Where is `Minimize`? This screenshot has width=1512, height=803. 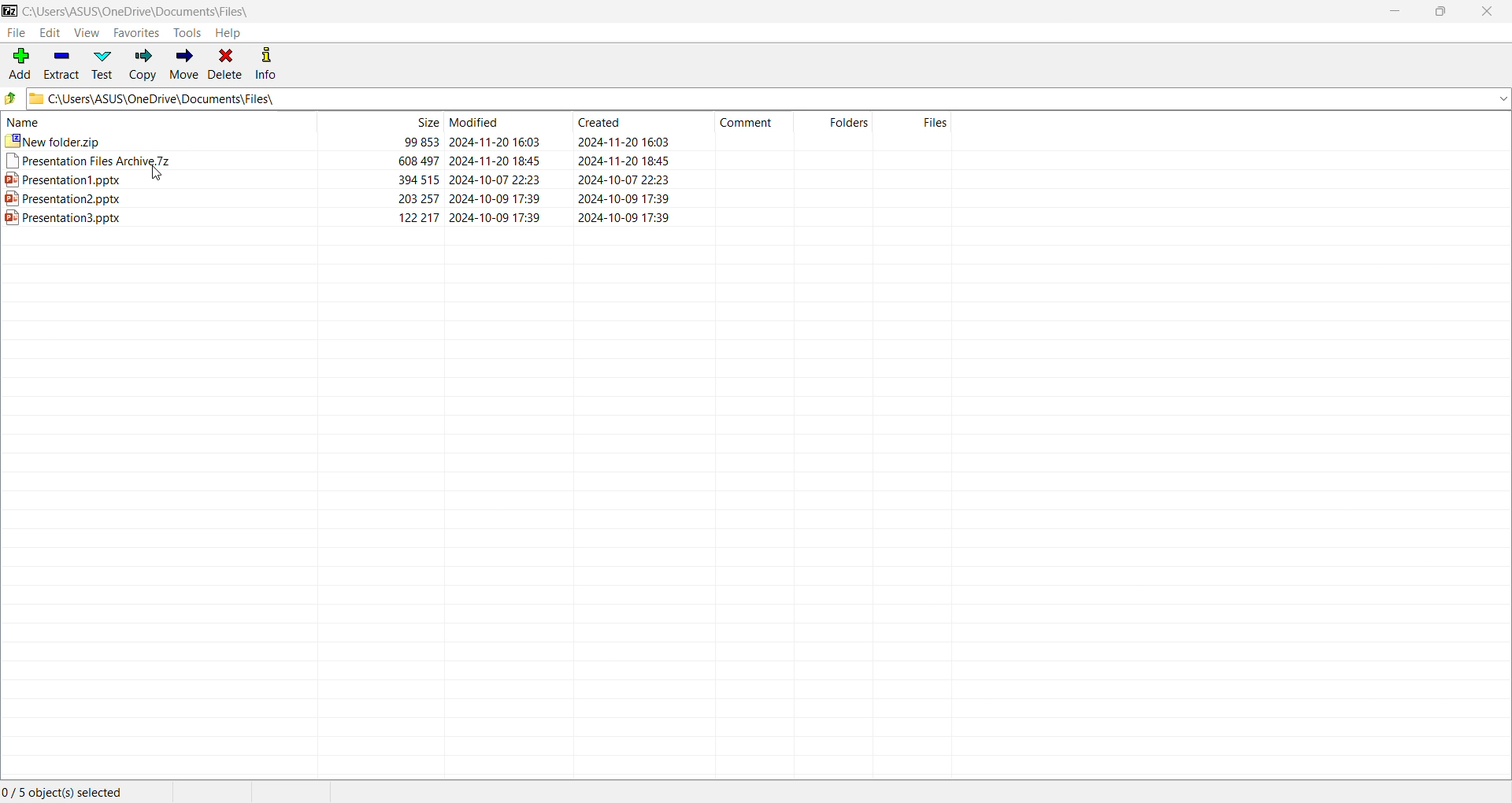
Minimize is located at coordinates (1395, 11).